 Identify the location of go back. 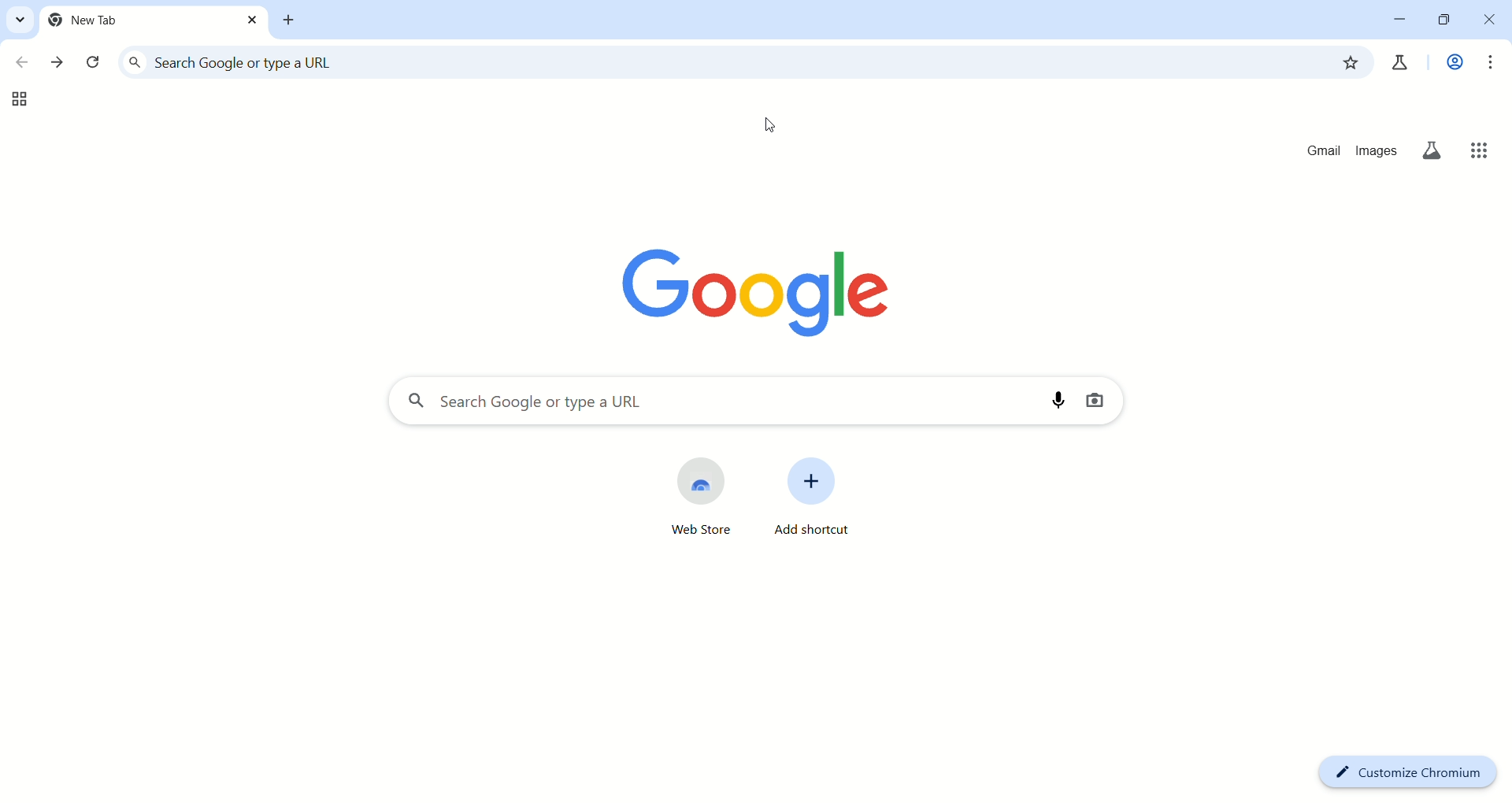
(21, 61).